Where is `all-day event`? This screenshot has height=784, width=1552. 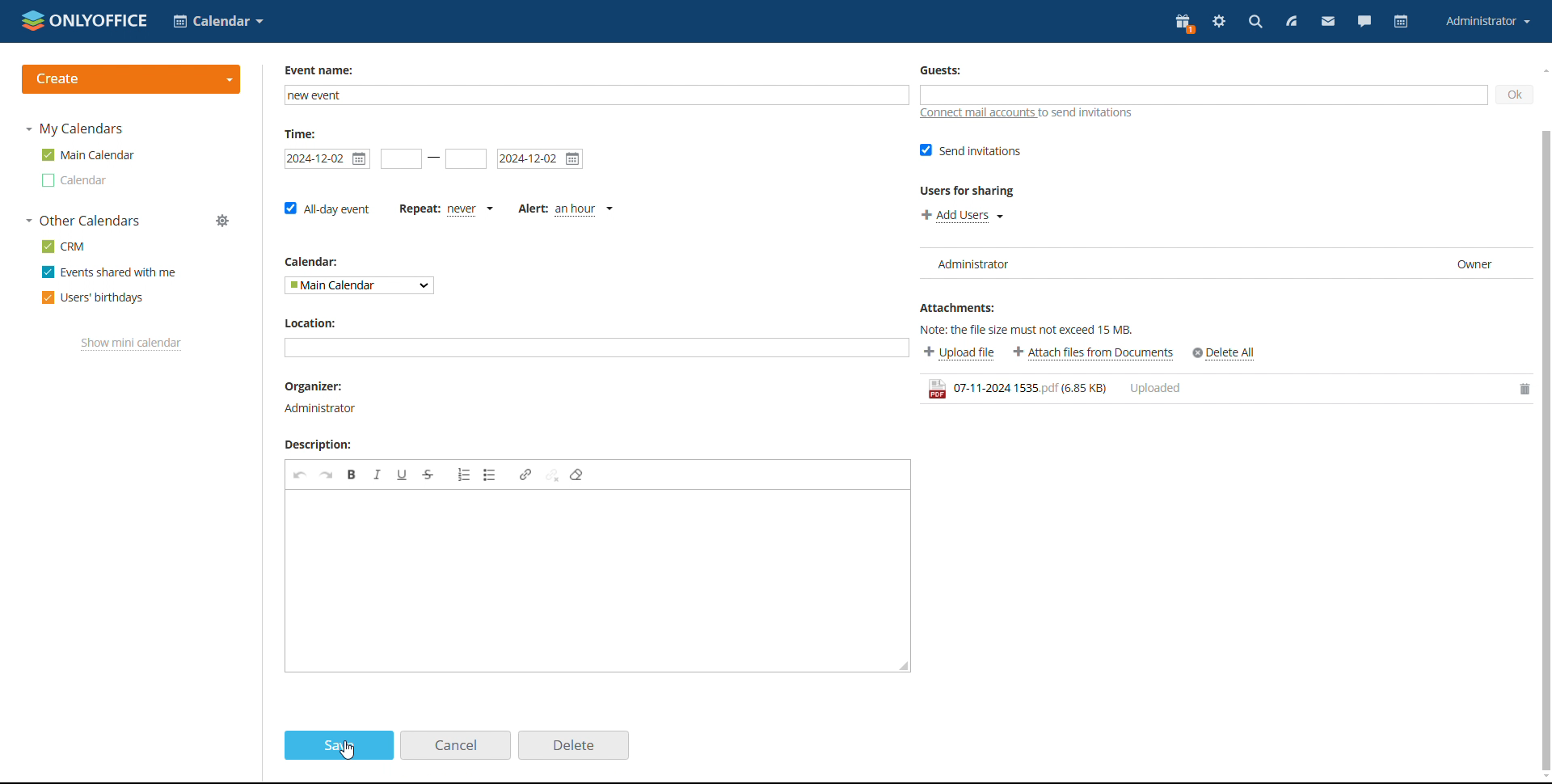 all-day event is located at coordinates (328, 209).